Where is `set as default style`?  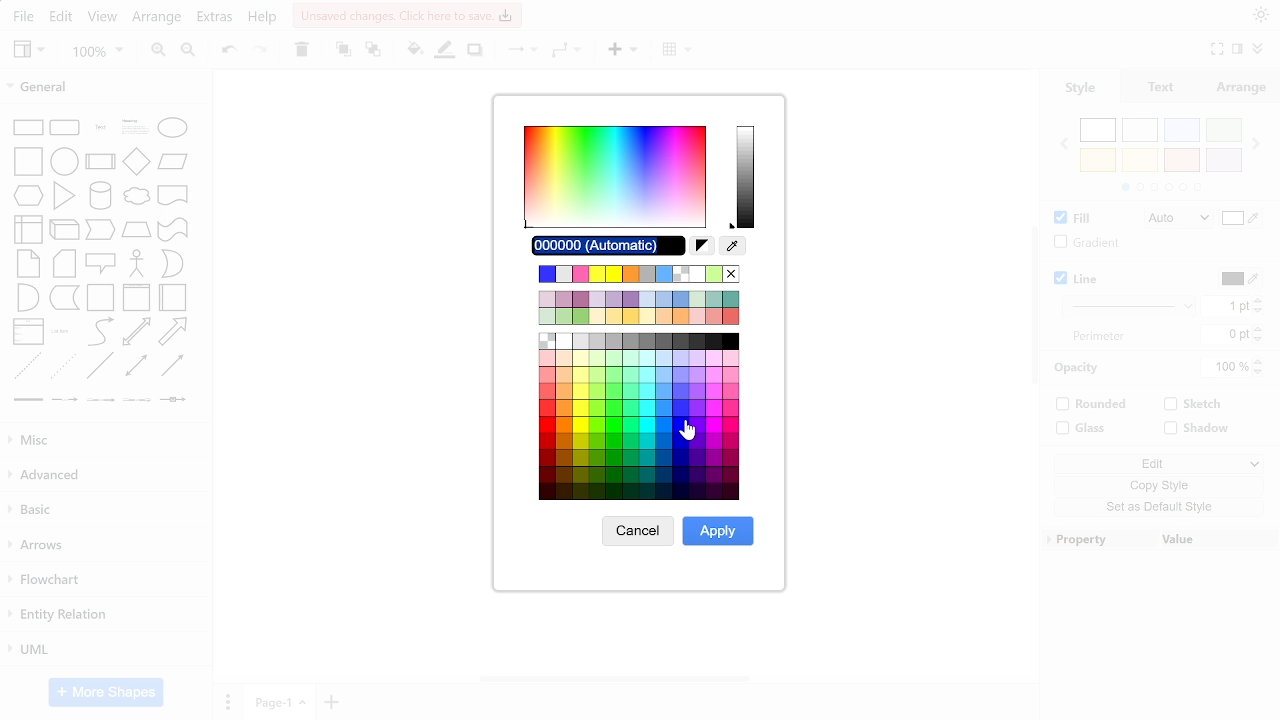
set as default style is located at coordinates (1154, 507).